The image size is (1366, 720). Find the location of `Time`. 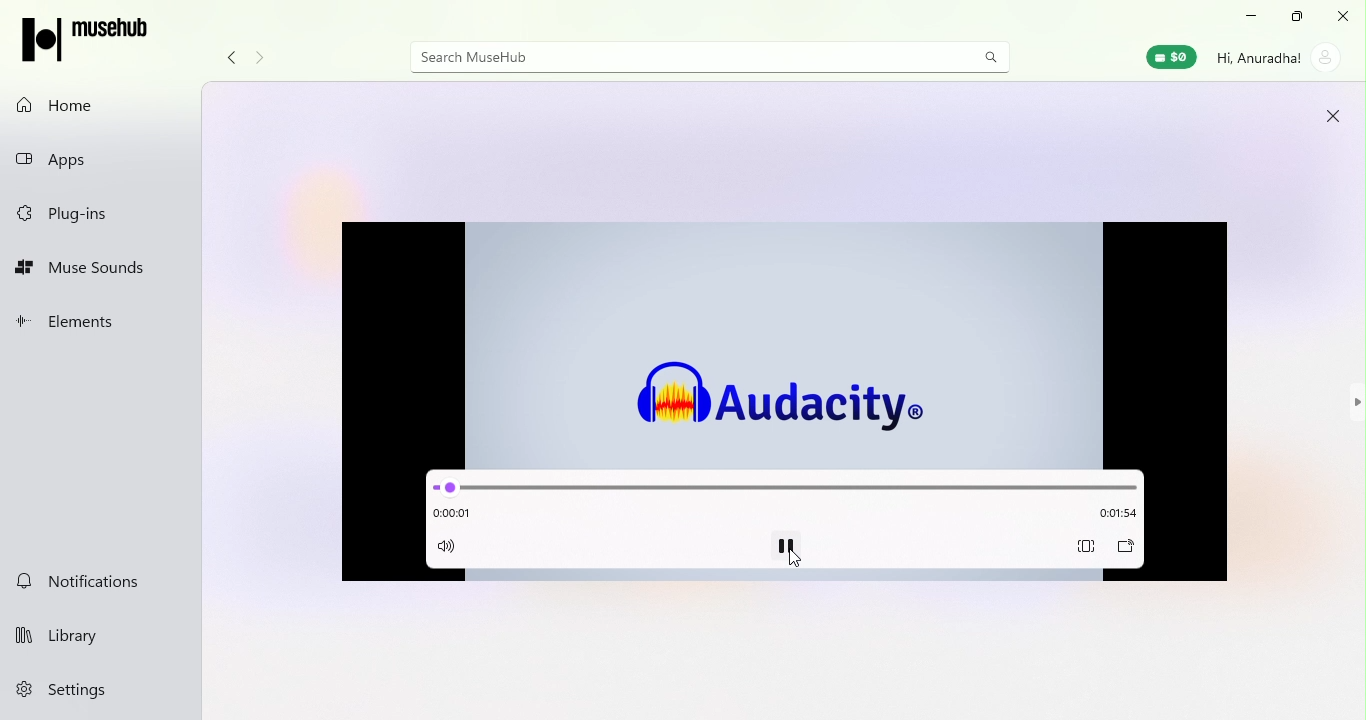

Time is located at coordinates (1109, 514).